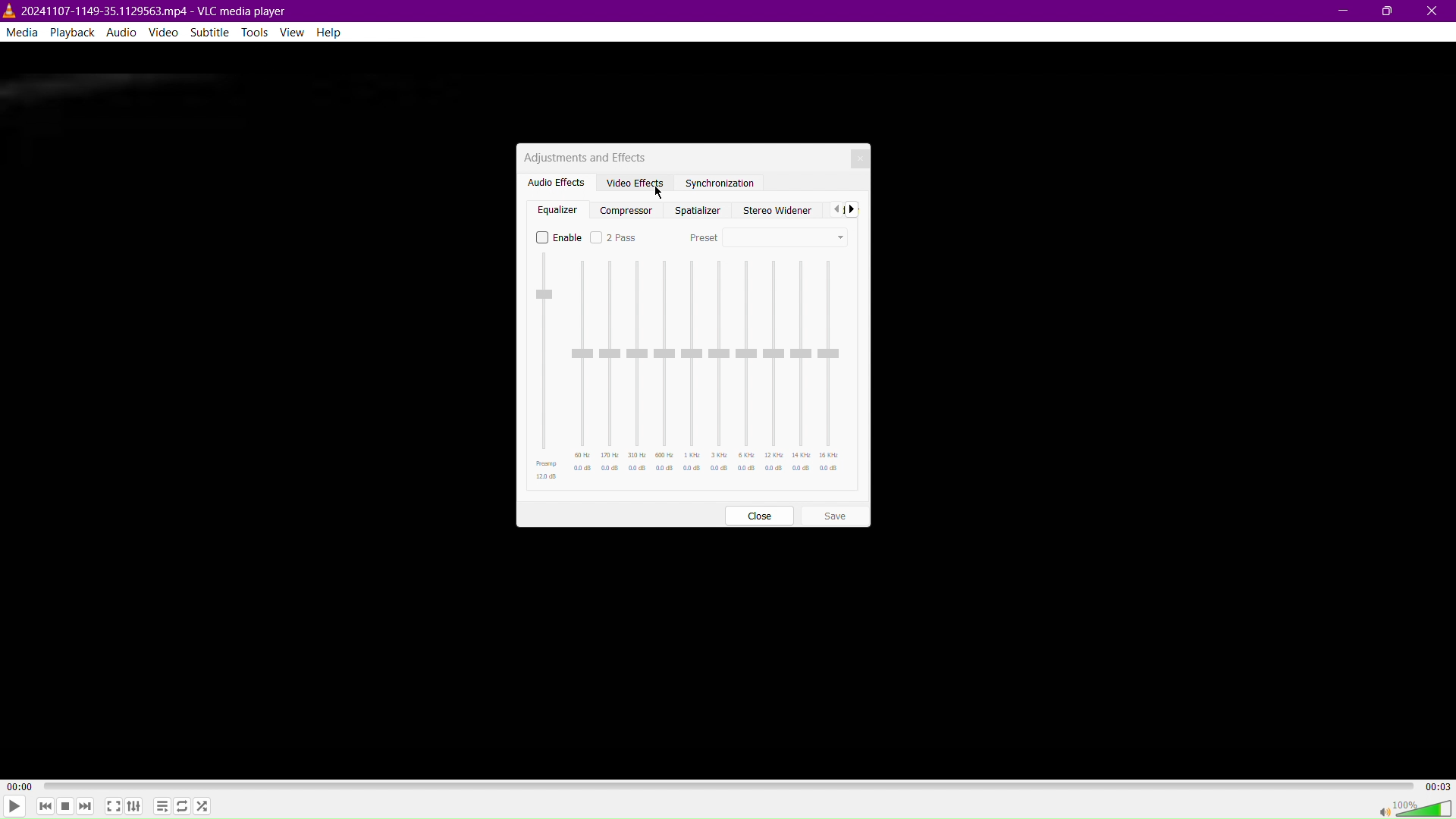 This screenshot has width=1456, height=819. Describe the element at coordinates (835, 209) in the screenshot. I see `Back` at that location.